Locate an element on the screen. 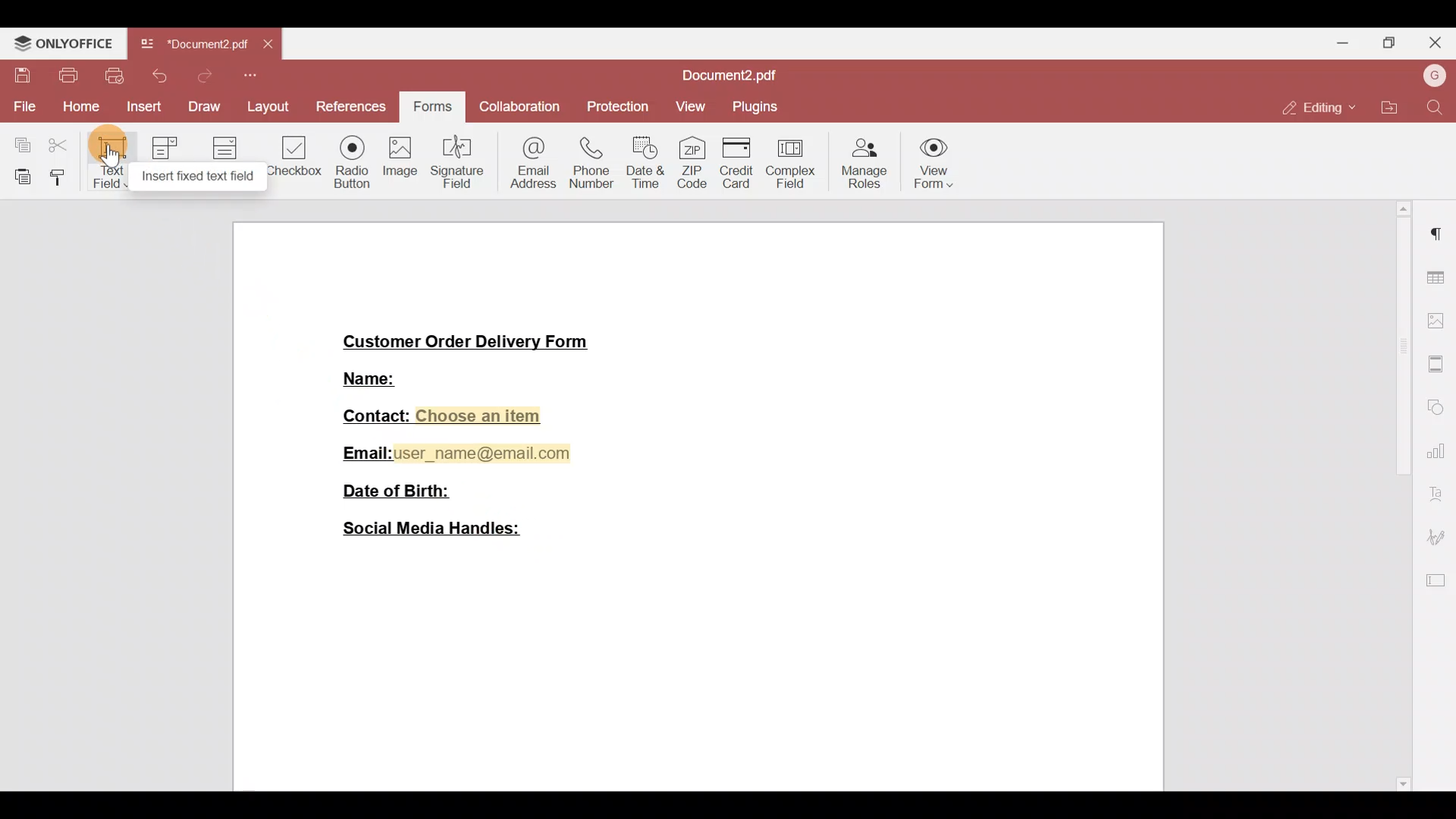 This screenshot has height=819, width=1456. Collaboration is located at coordinates (521, 108).